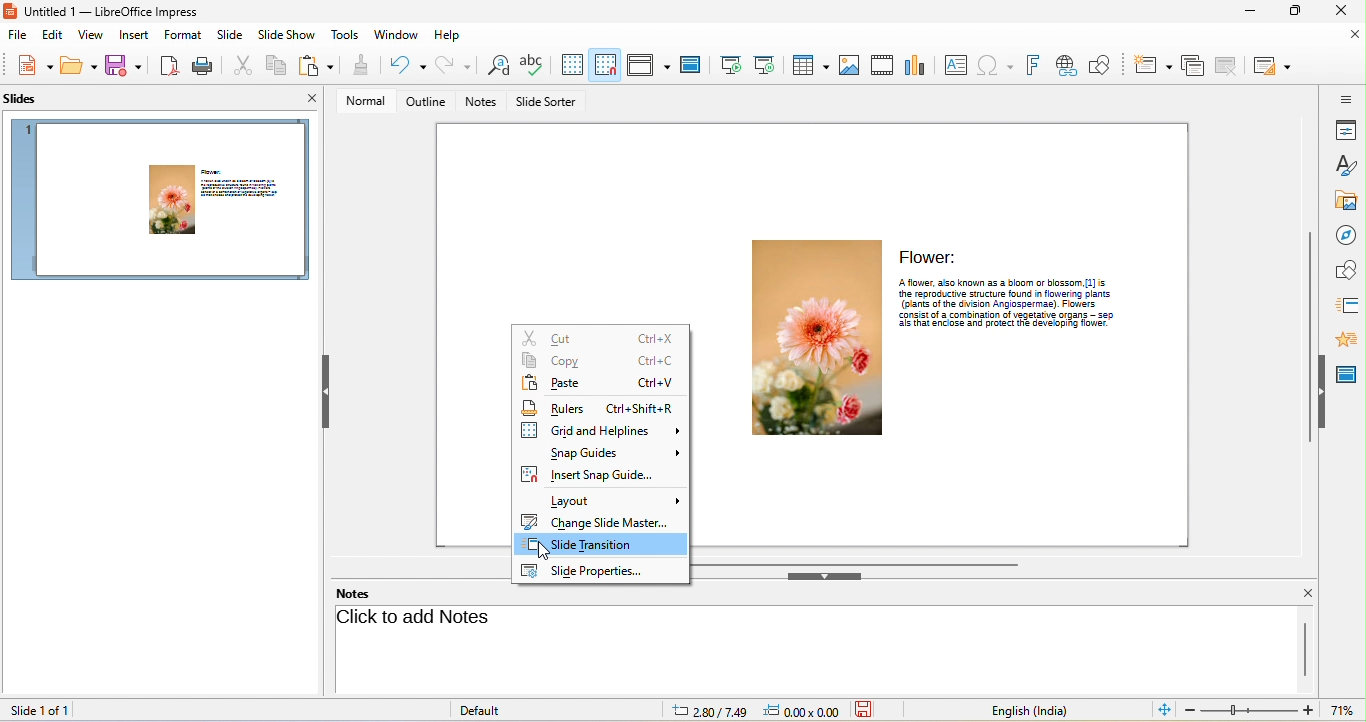 The image size is (1366, 722). I want to click on start from current slide, so click(767, 65).